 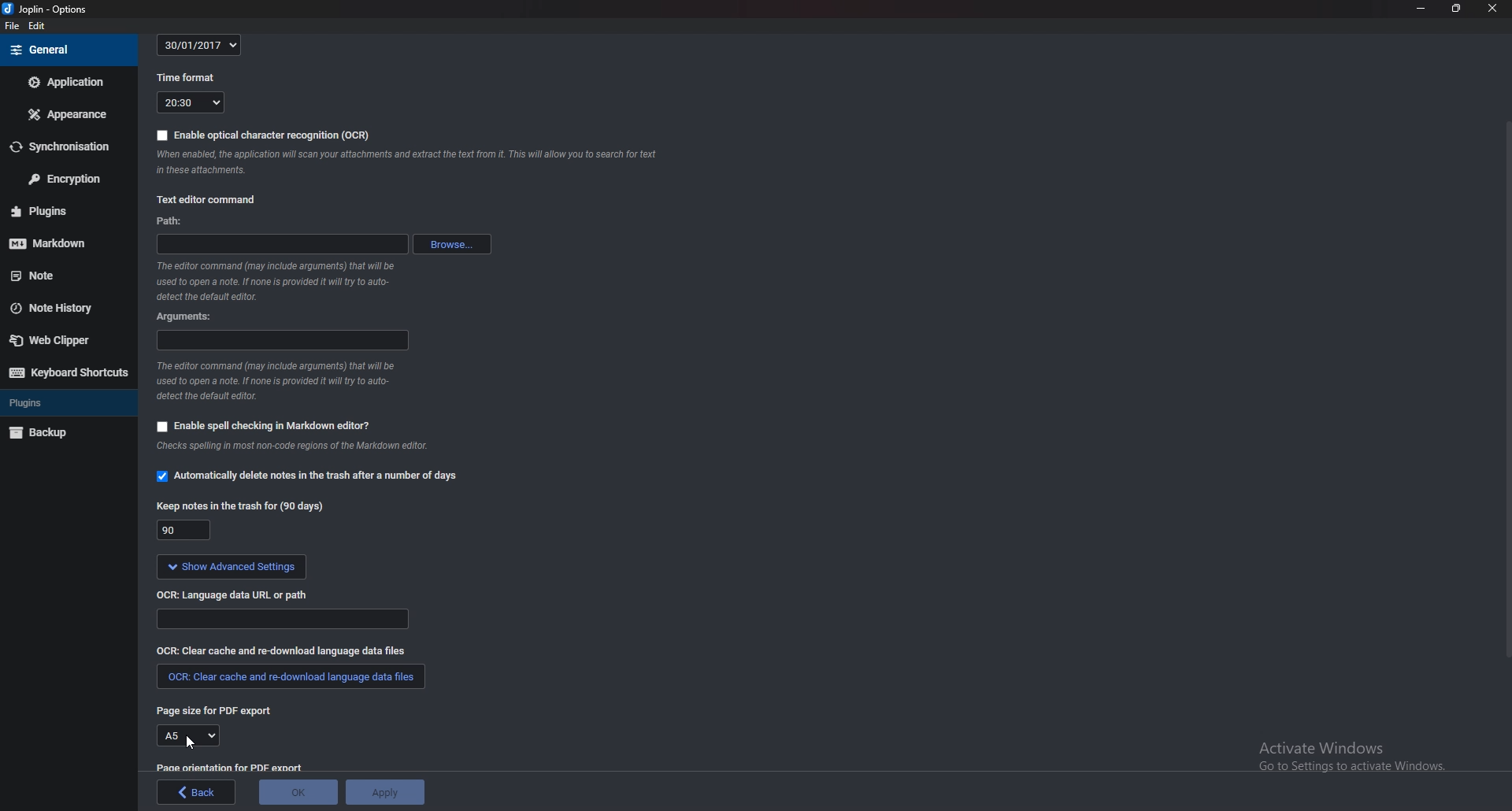 What do you see at coordinates (1336, 756) in the screenshot?
I see `activate windows` at bounding box center [1336, 756].